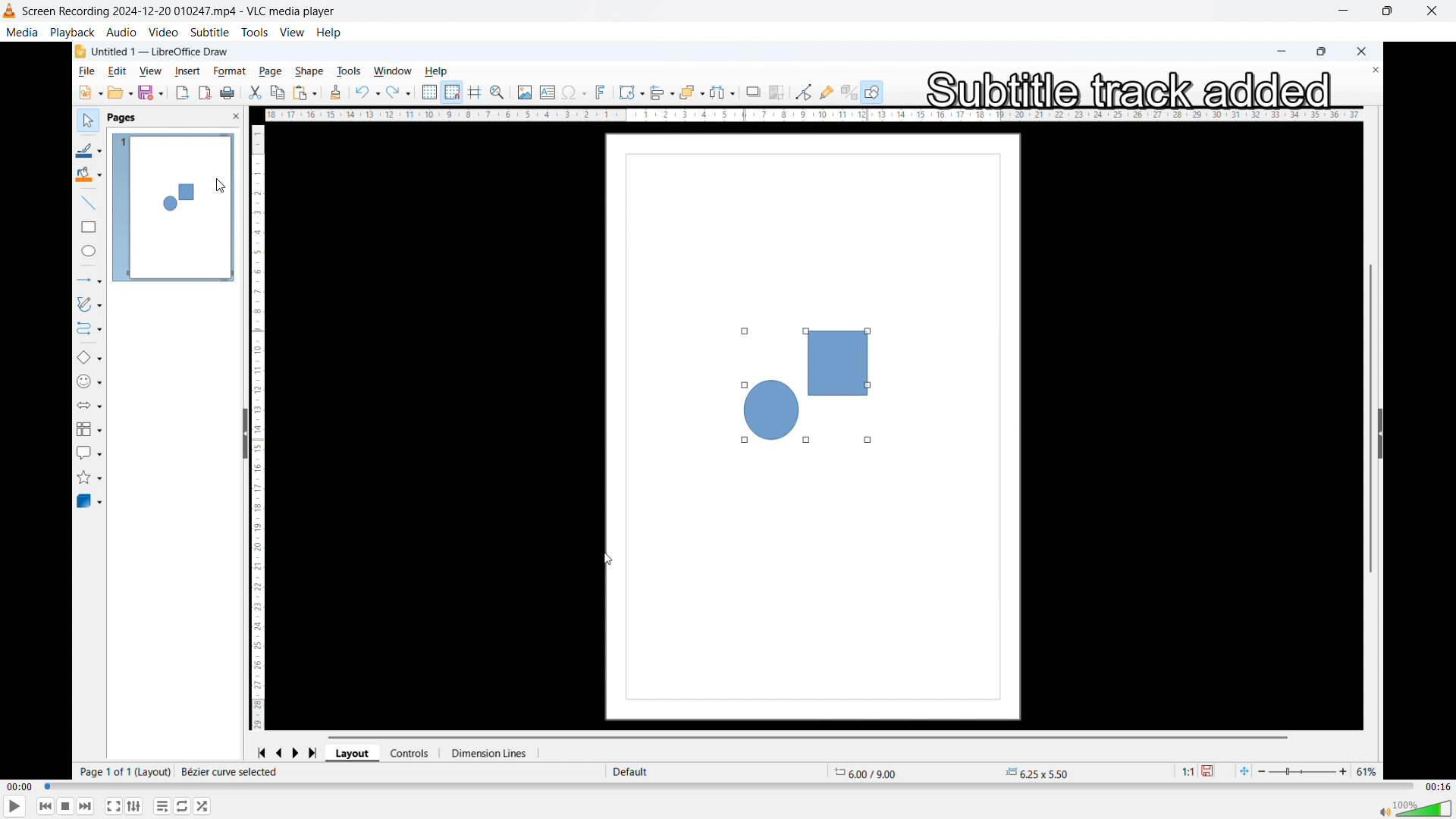 The width and height of the screenshot is (1456, 819). I want to click on line color, so click(89, 149).